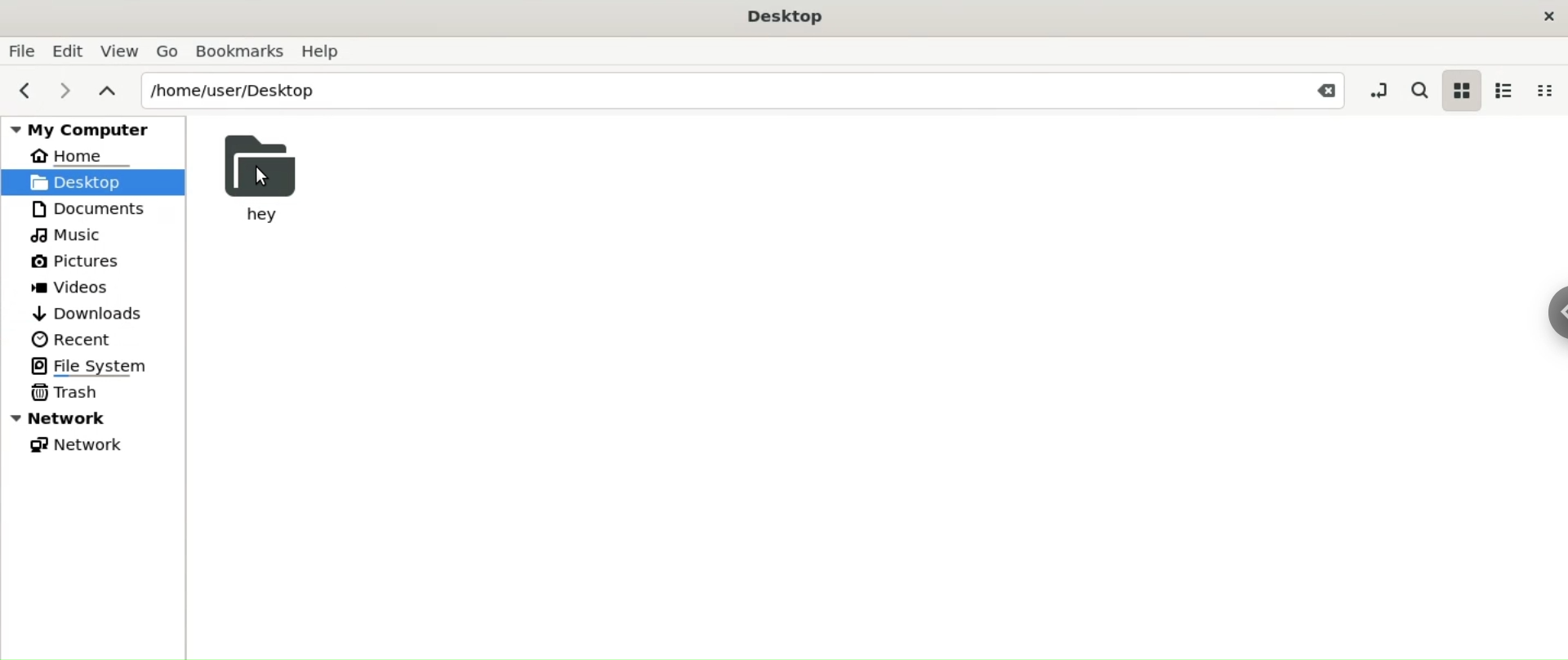 The width and height of the screenshot is (1568, 660). Describe the element at coordinates (104, 93) in the screenshot. I see `parent folders` at that location.